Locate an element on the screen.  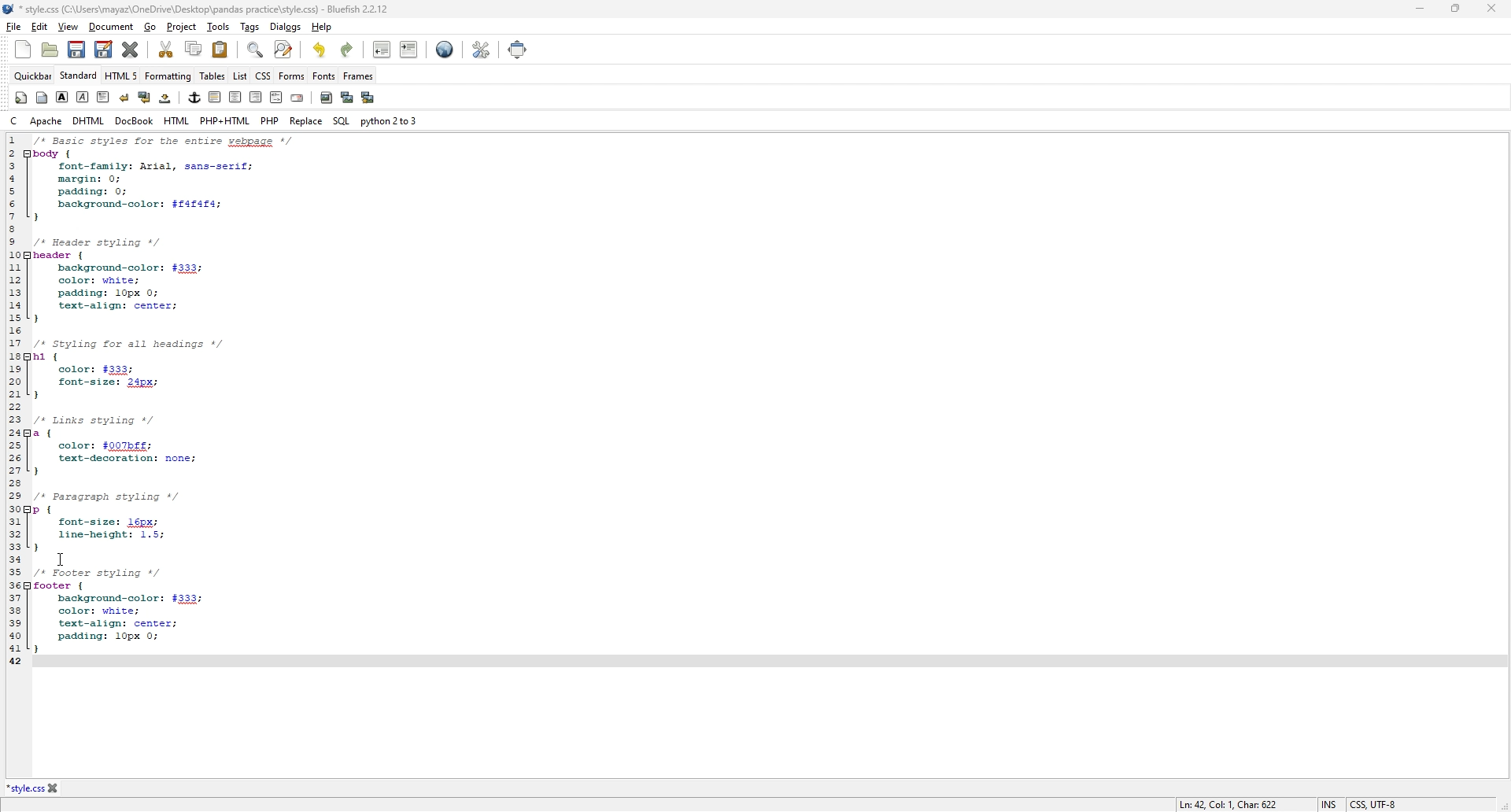
apache is located at coordinates (46, 120).